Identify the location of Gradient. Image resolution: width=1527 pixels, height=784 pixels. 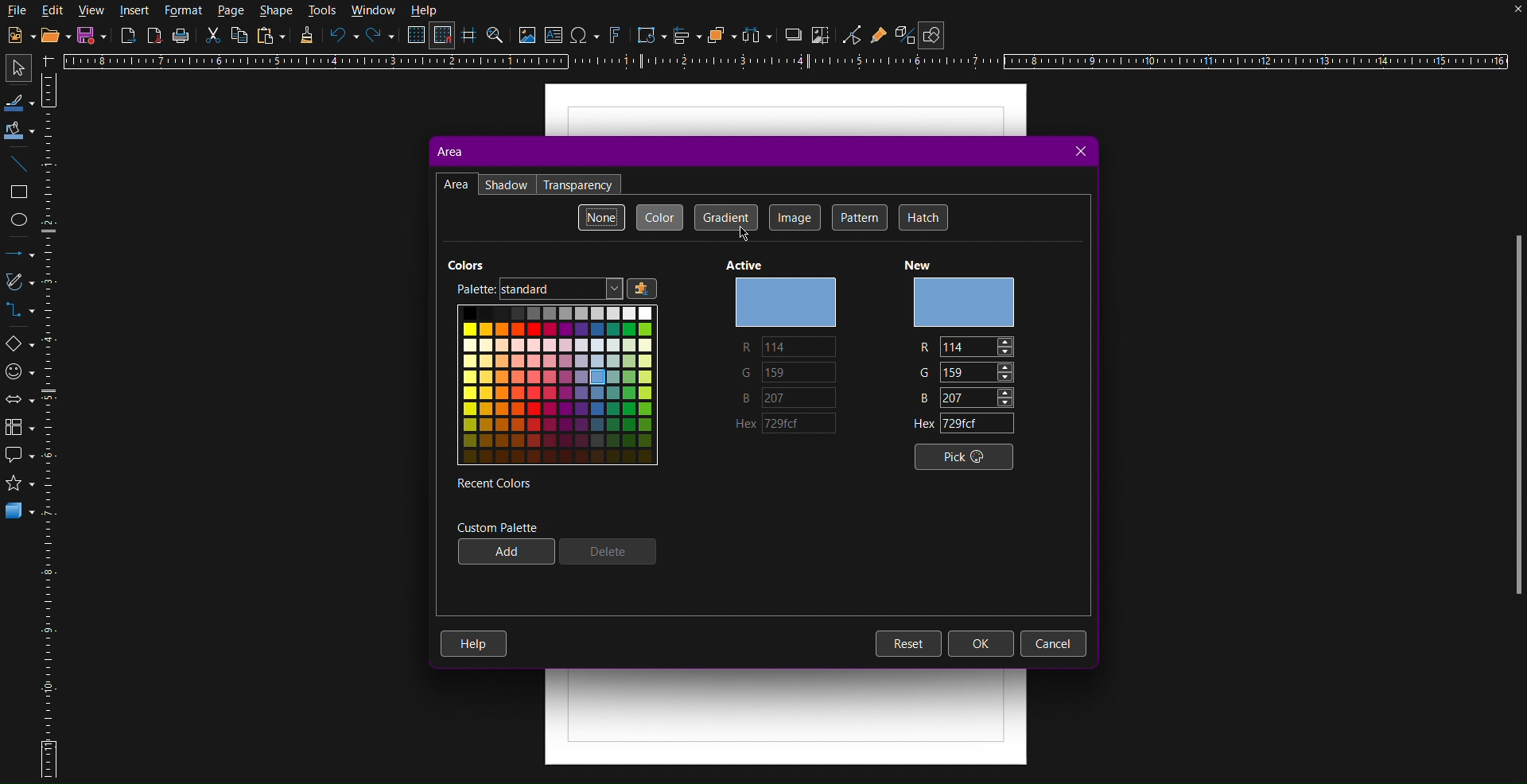
(725, 217).